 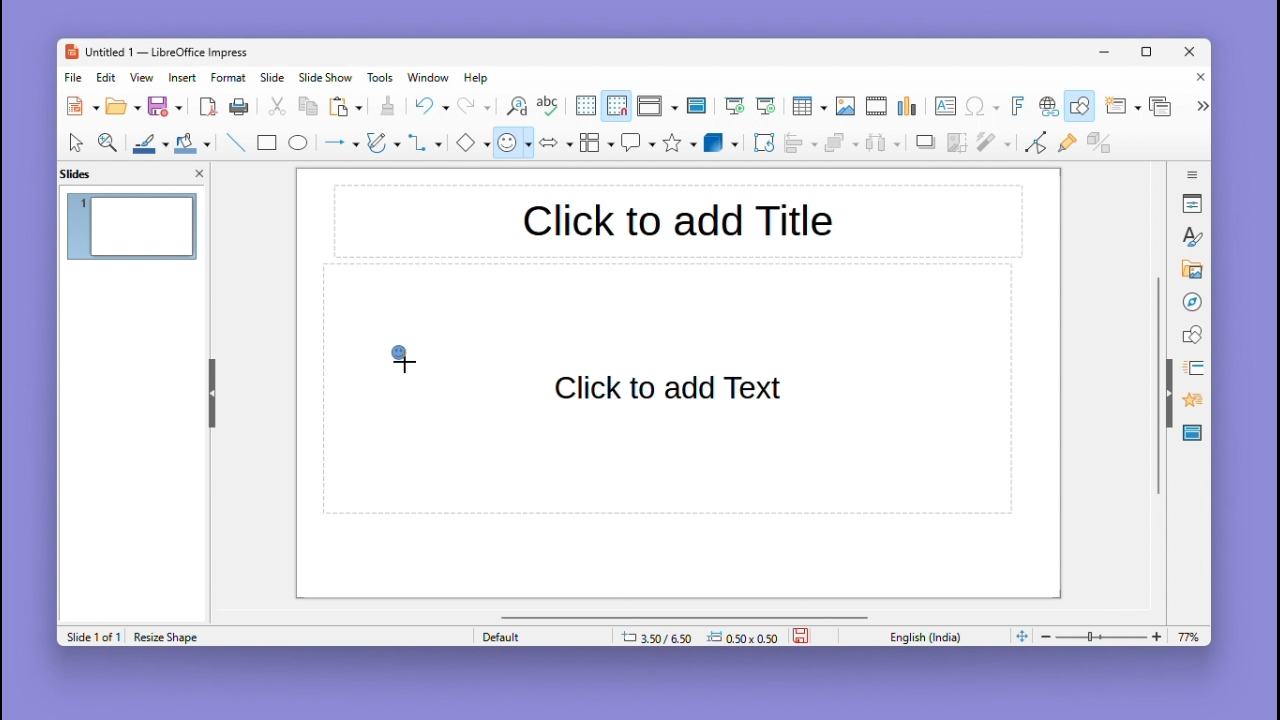 I want to click on Maximize, so click(x=1150, y=55).